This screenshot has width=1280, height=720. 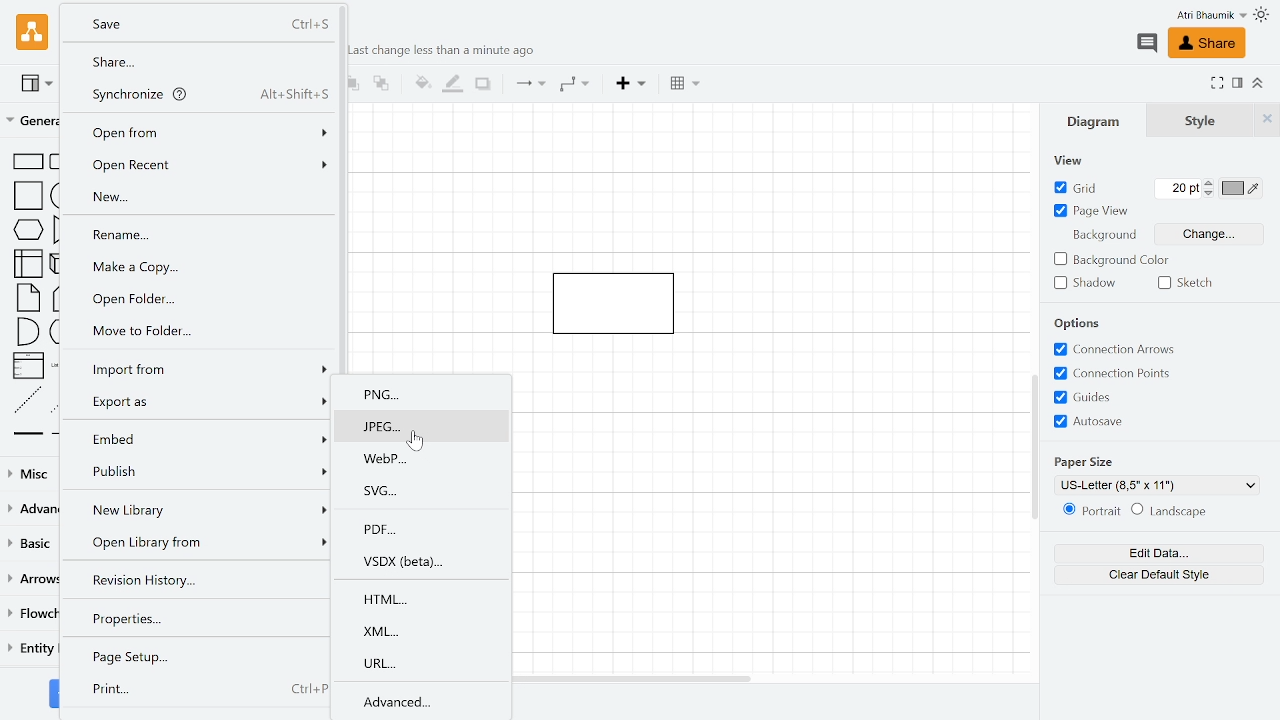 What do you see at coordinates (1149, 44) in the screenshot?
I see `Comment` at bounding box center [1149, 44].